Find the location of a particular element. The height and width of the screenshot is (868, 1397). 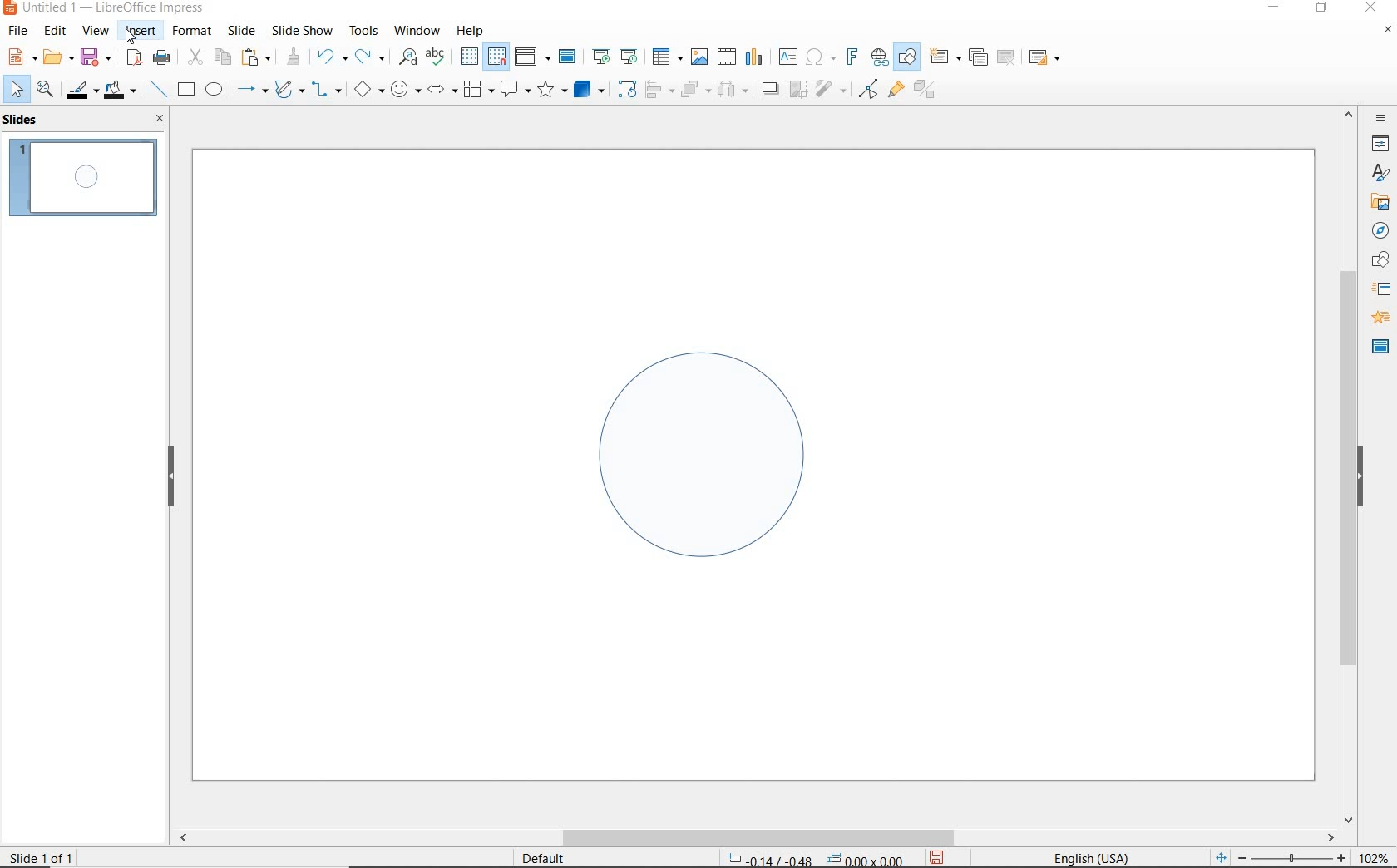

line color is located at coordinates (81, 90).